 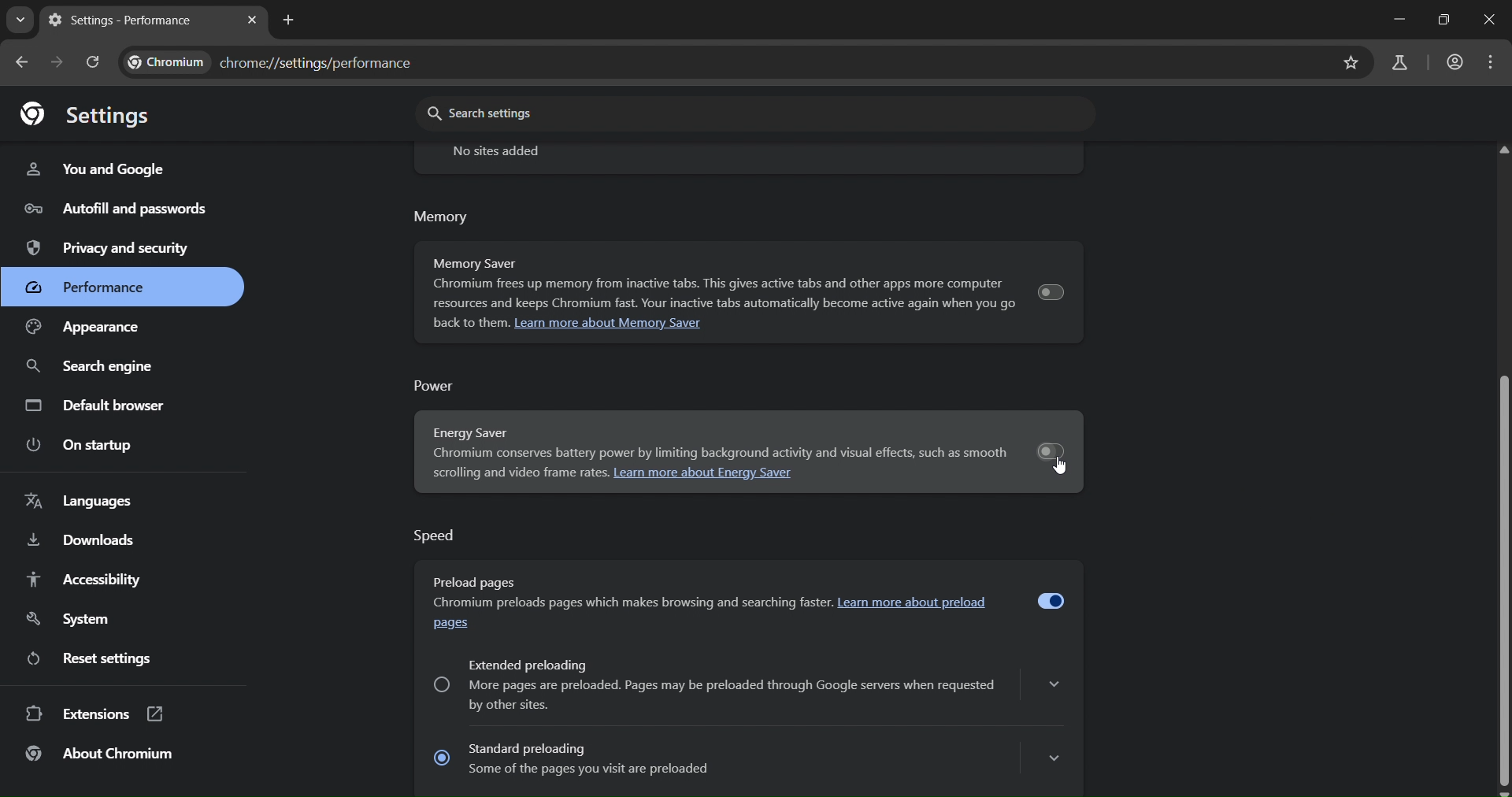 What do you see at coordinates (20, 21) in the screenshot?
I see `search tabs` at bounding box center [20, 21].